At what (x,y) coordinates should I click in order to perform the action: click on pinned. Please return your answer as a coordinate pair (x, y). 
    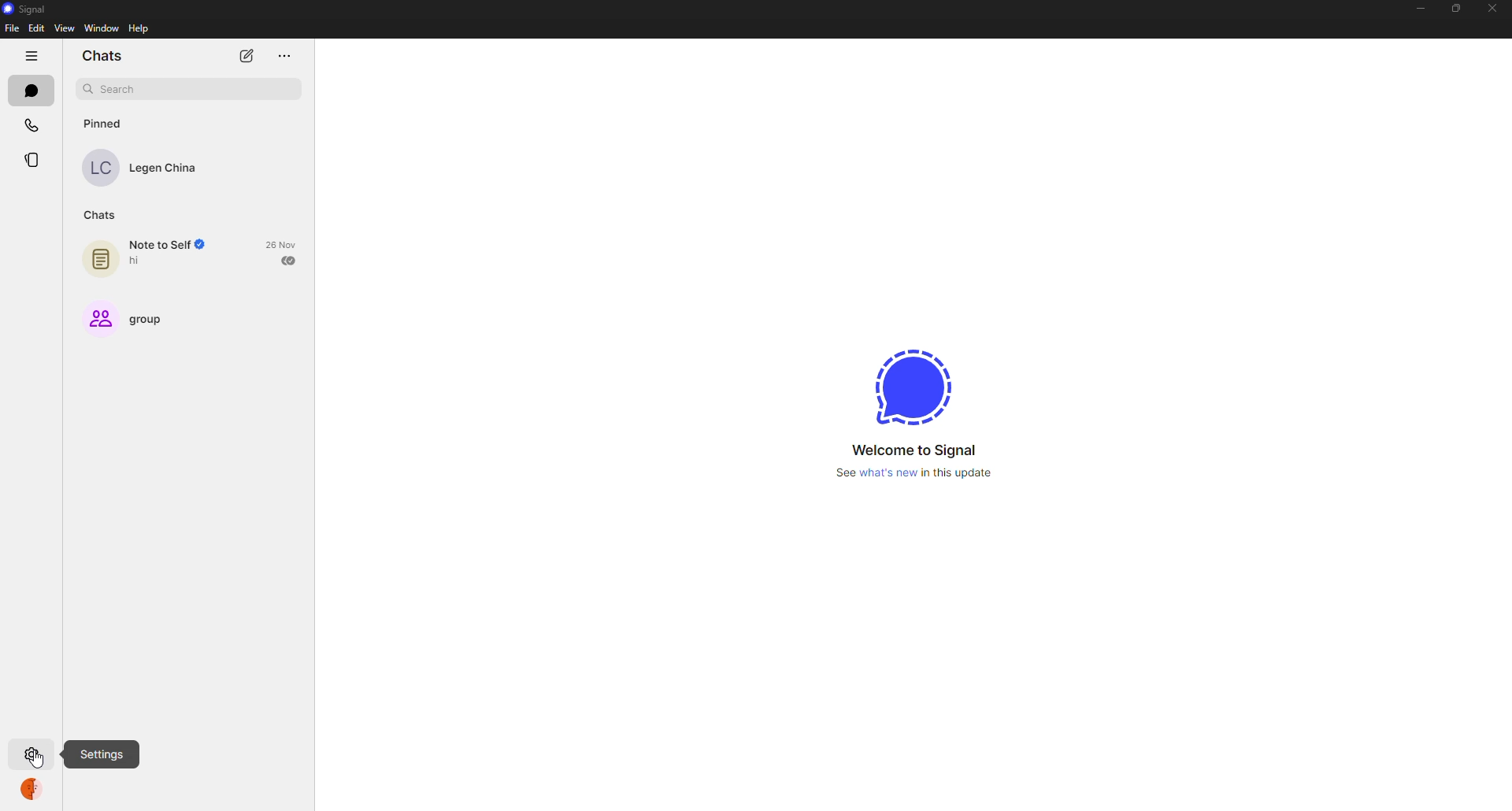
    Looking at the image, I should click on (102, 124).